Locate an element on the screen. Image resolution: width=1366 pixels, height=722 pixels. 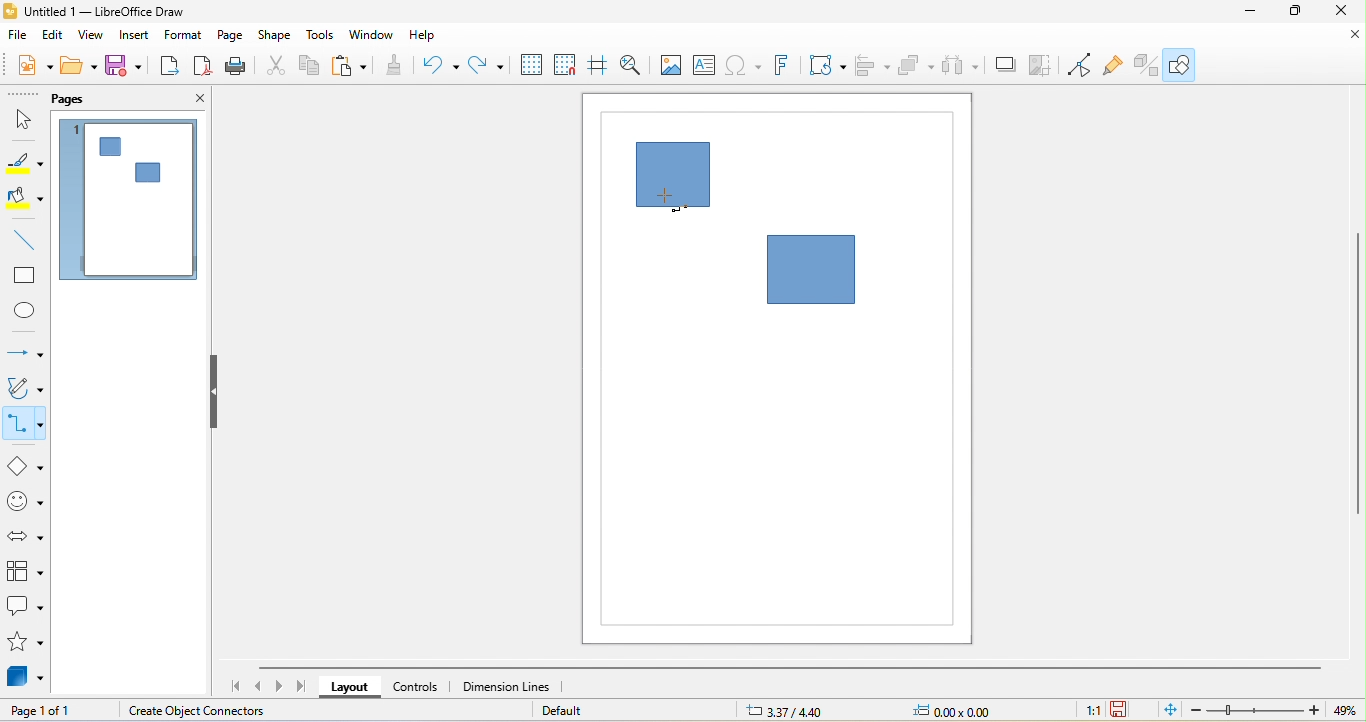
scroll to last page is located at coordinates (303, 686).